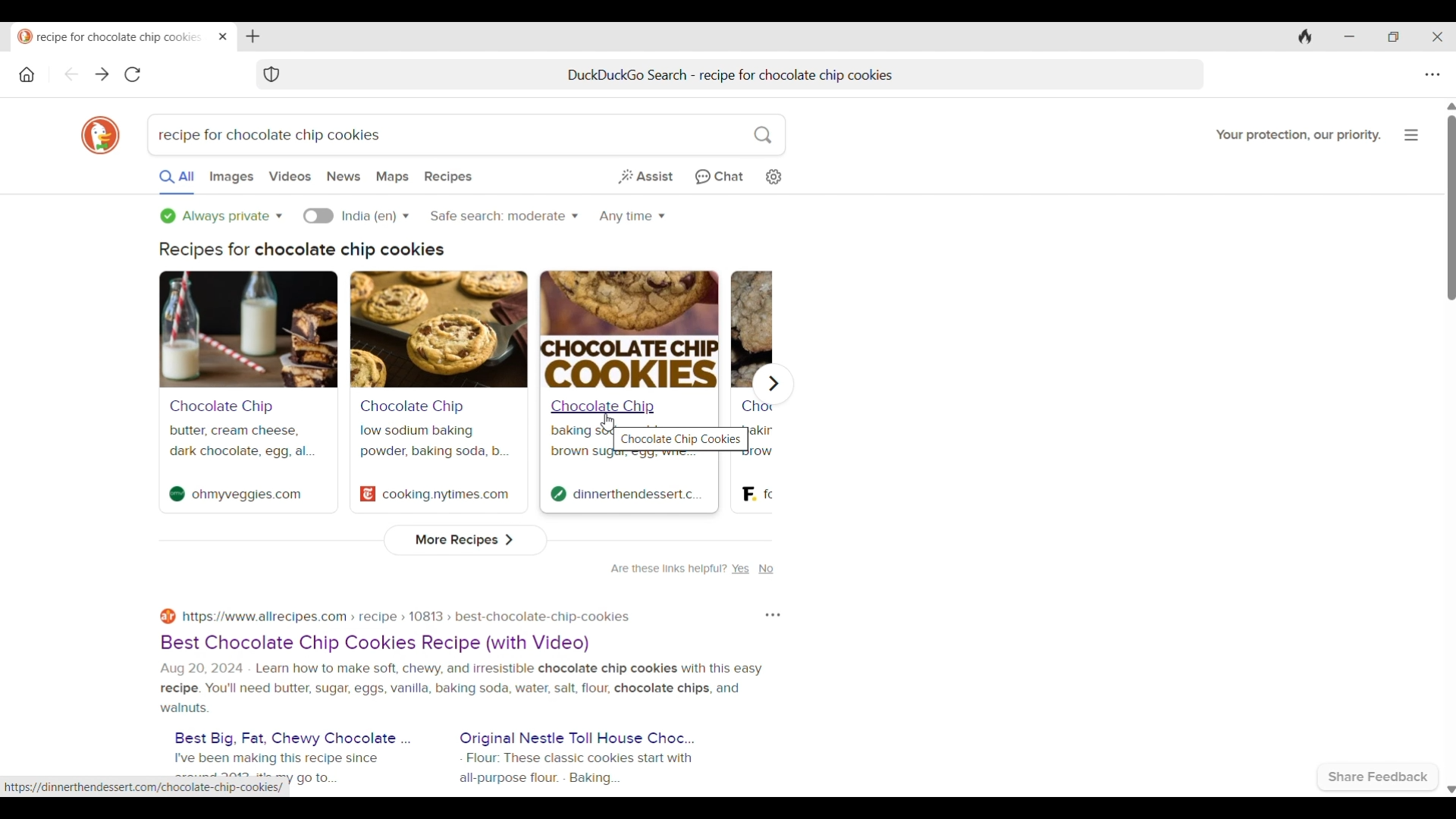 The image size is (1456, 819). Describe the element at coordinates (576, 739) in the screenshot. I see `Original Nestle Toll House Choc...` at that location.